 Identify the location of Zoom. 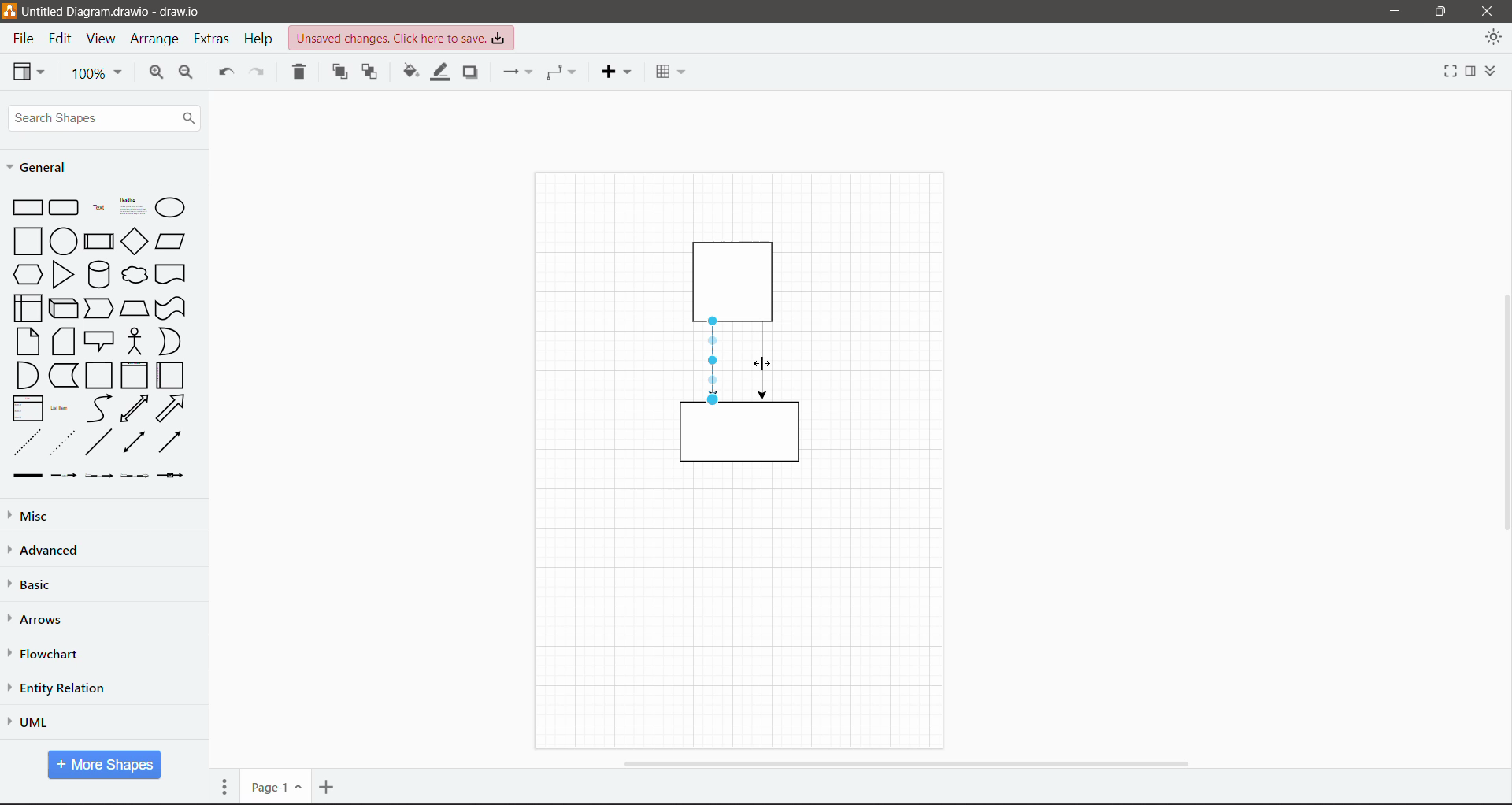
(97, 74).